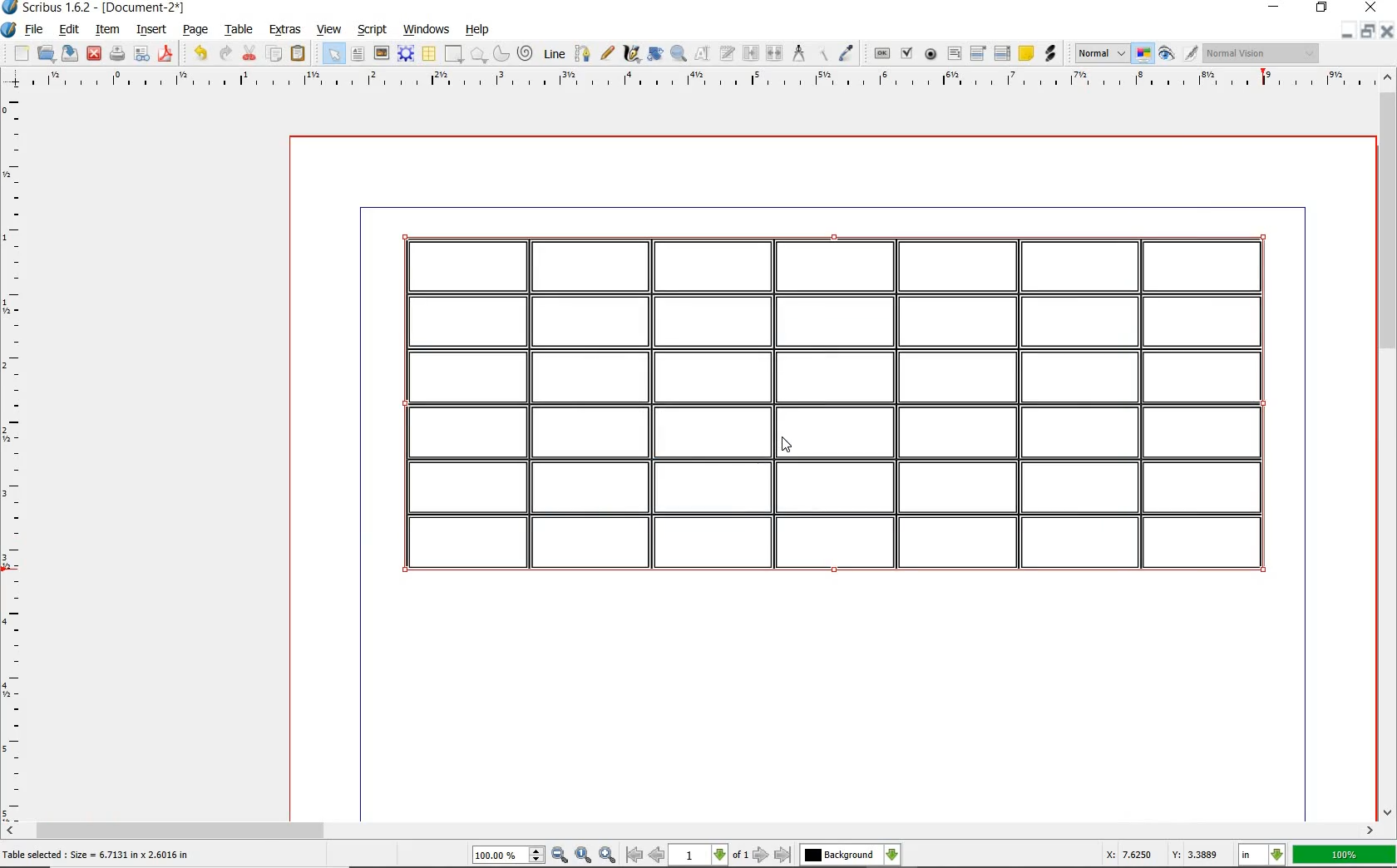  Describe the element at coordinates (708, 856) in the screenshot. I see `select current page` at that location.